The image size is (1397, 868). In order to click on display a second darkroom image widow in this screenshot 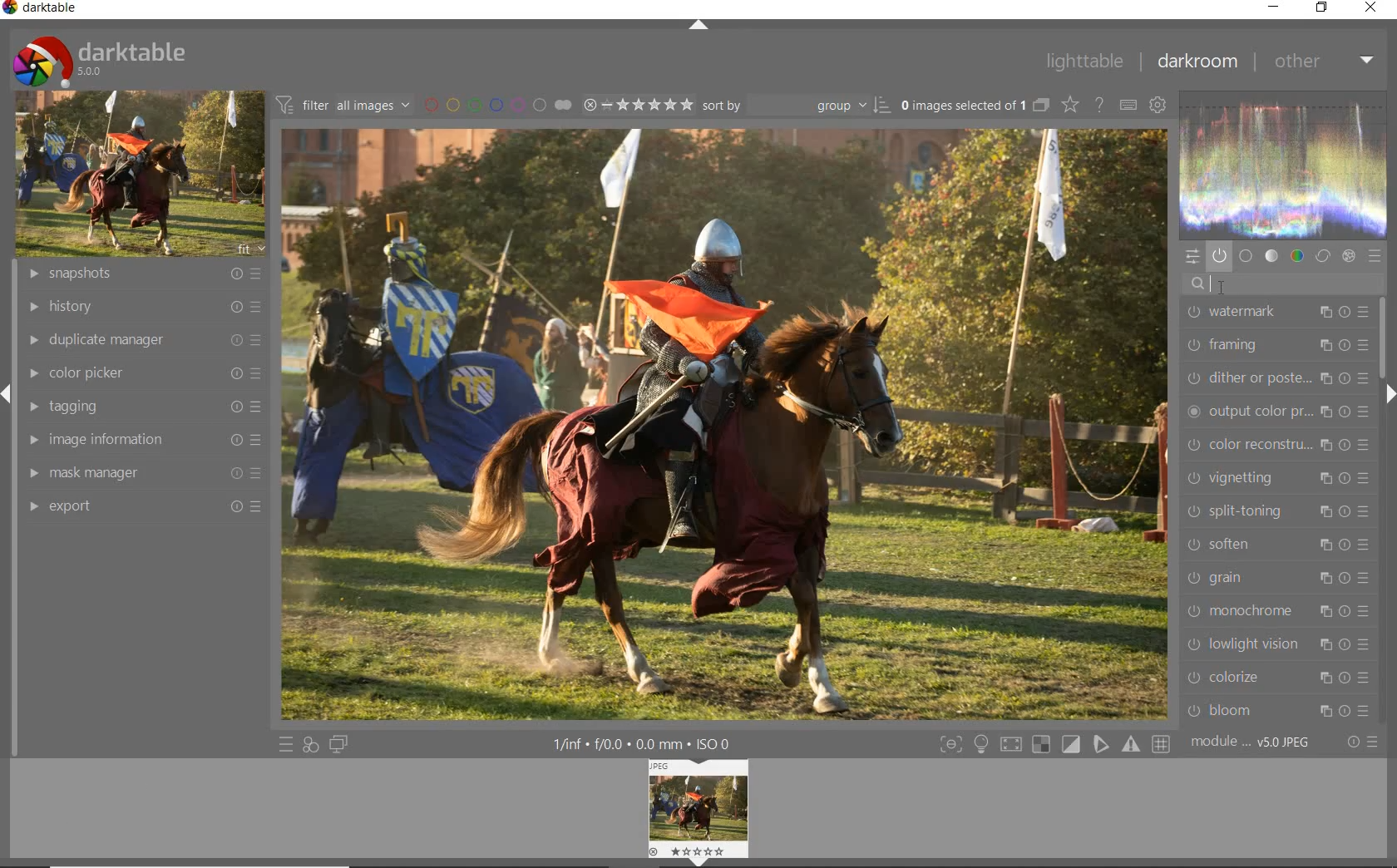, I will do `click(339, 743)`.